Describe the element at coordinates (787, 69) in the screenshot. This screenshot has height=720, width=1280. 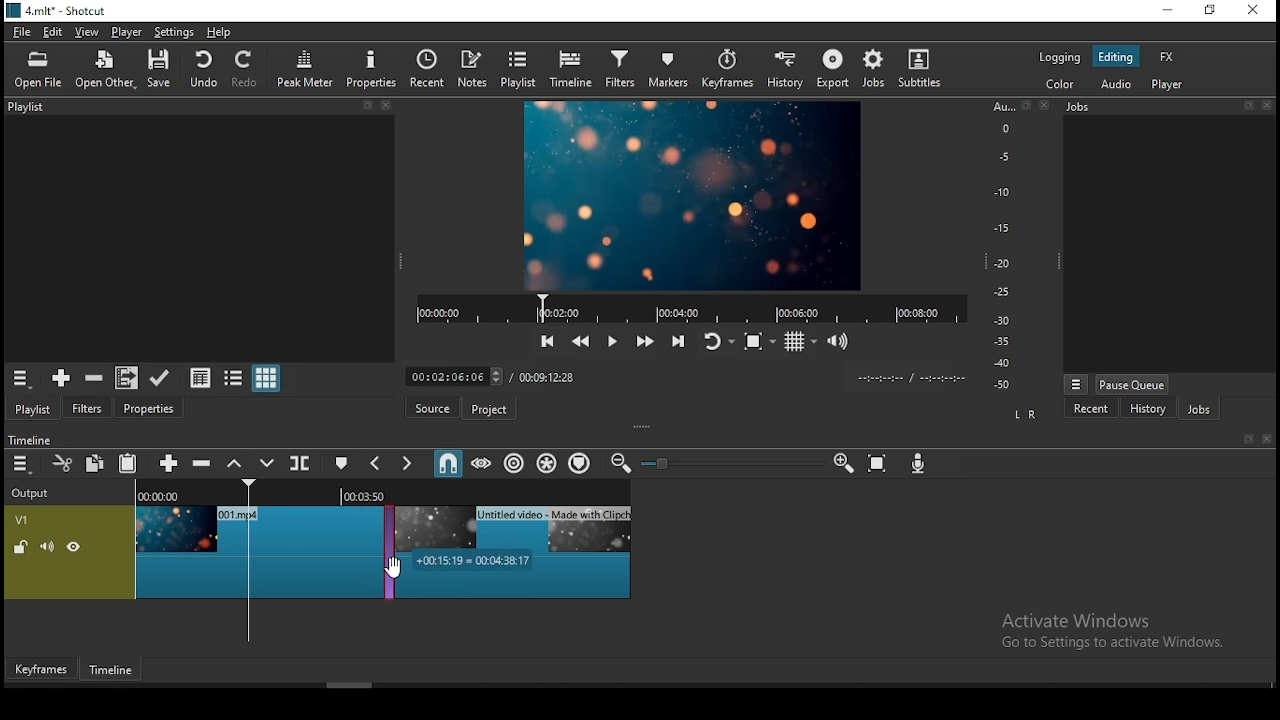
I see `history` at that location.